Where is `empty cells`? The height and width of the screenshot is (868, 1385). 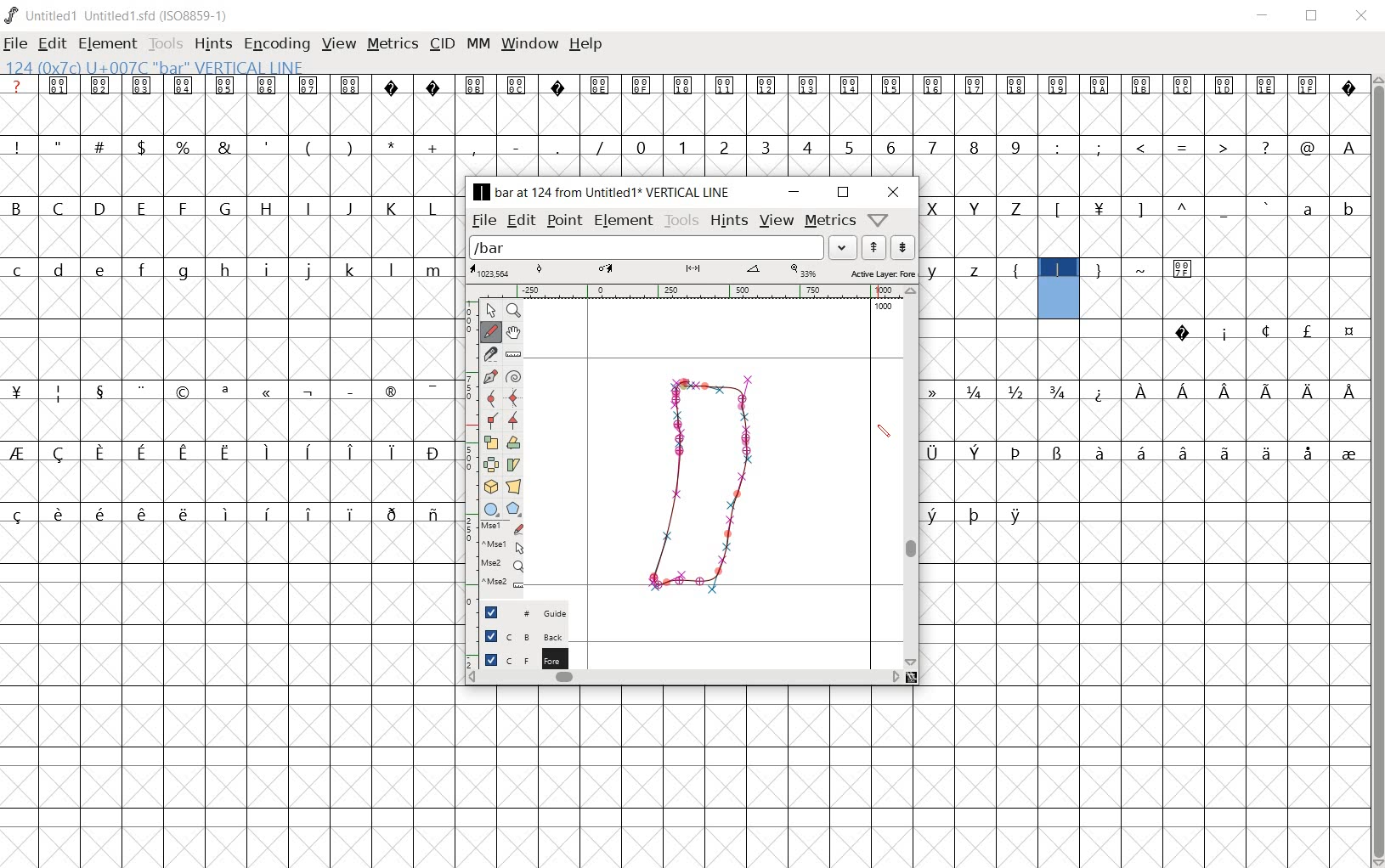
empty cells is located at coordinates (911, 775).